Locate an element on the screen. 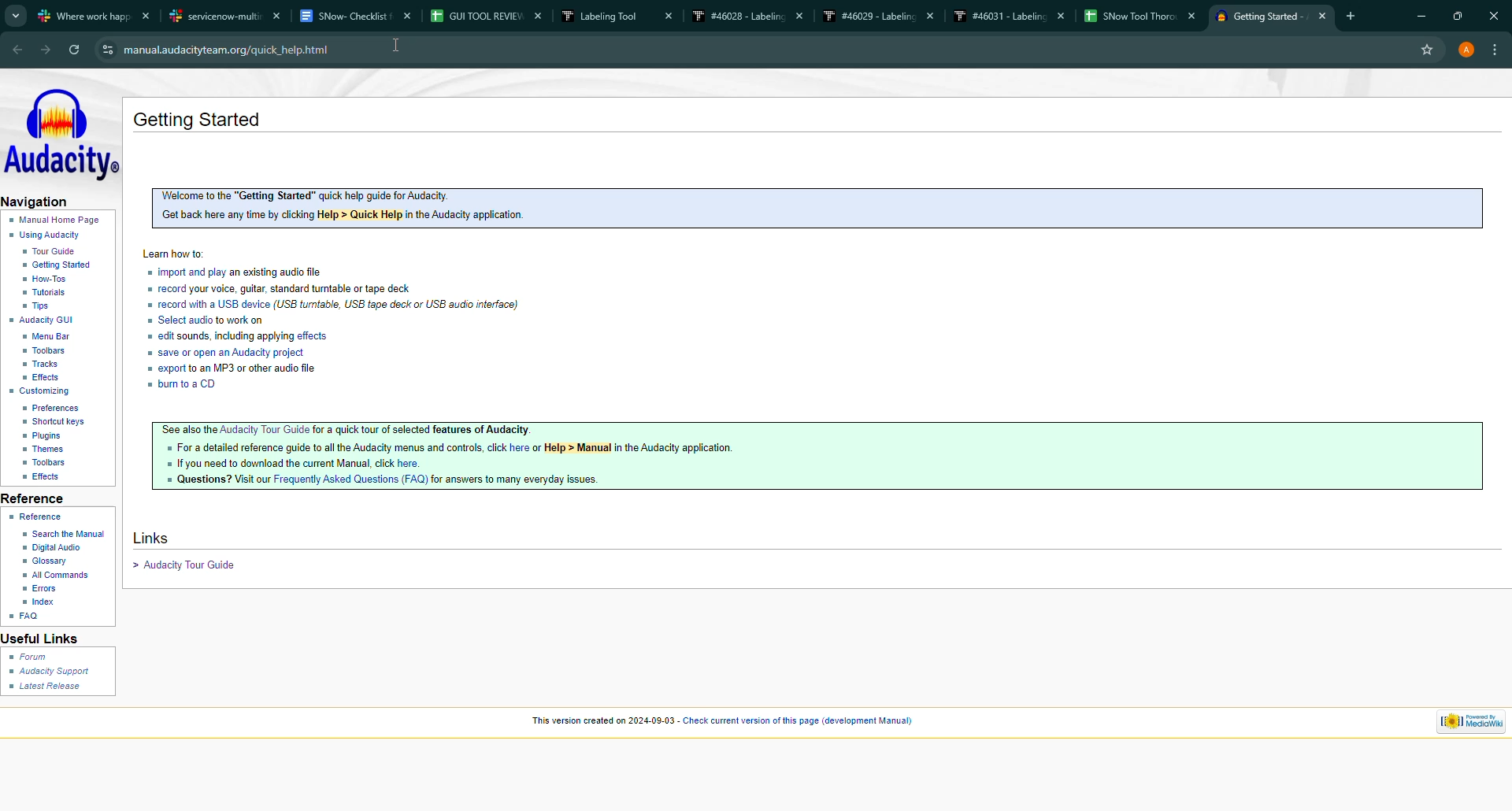  USB turntable, USB tape deck or USB audio interface is located at coordinates (406, 305).